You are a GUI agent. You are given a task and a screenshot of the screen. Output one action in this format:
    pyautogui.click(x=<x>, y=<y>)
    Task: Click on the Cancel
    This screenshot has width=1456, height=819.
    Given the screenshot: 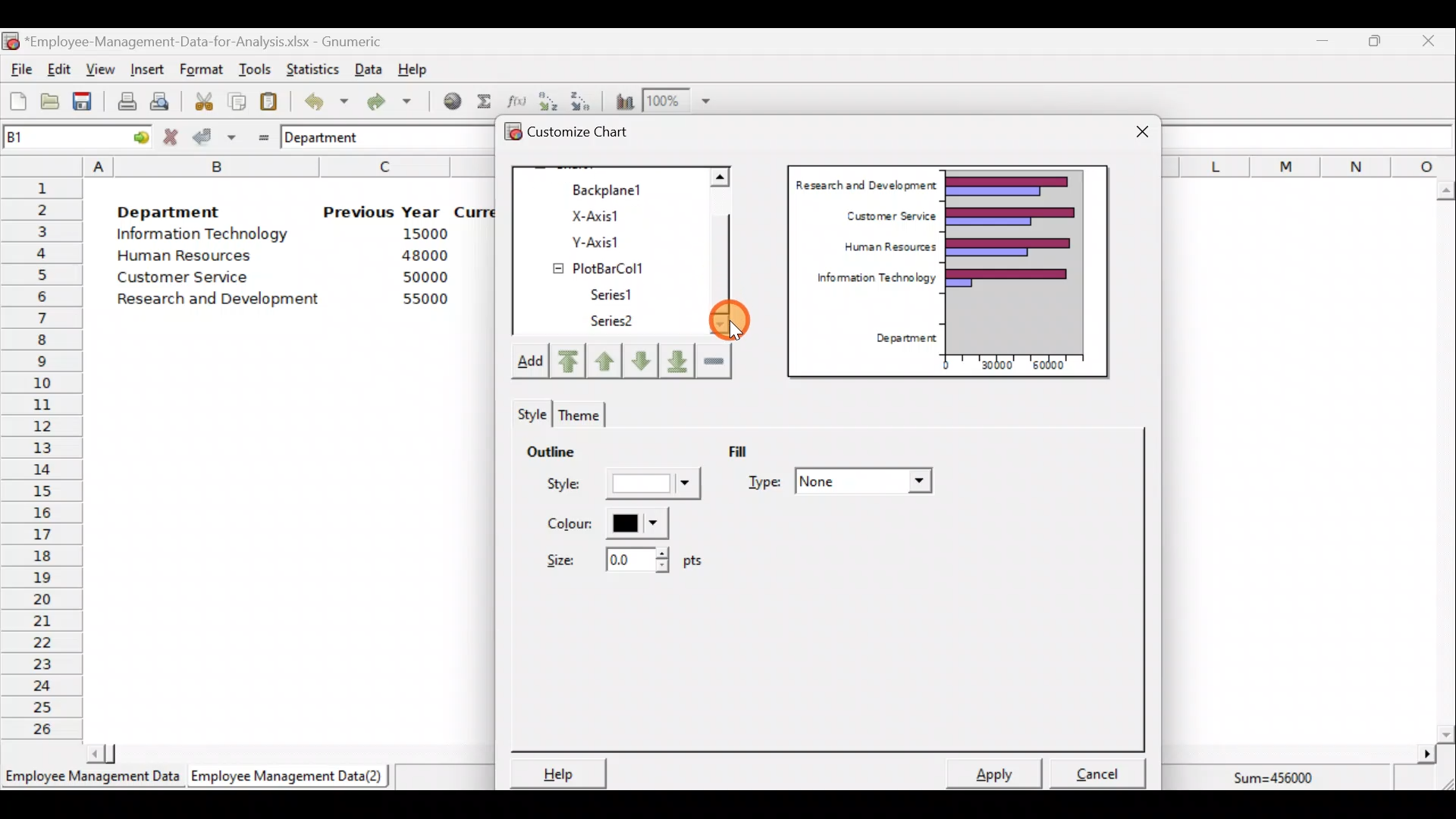 What is the action you would take?
    pyautogui.click(x=1103, y=769)
    